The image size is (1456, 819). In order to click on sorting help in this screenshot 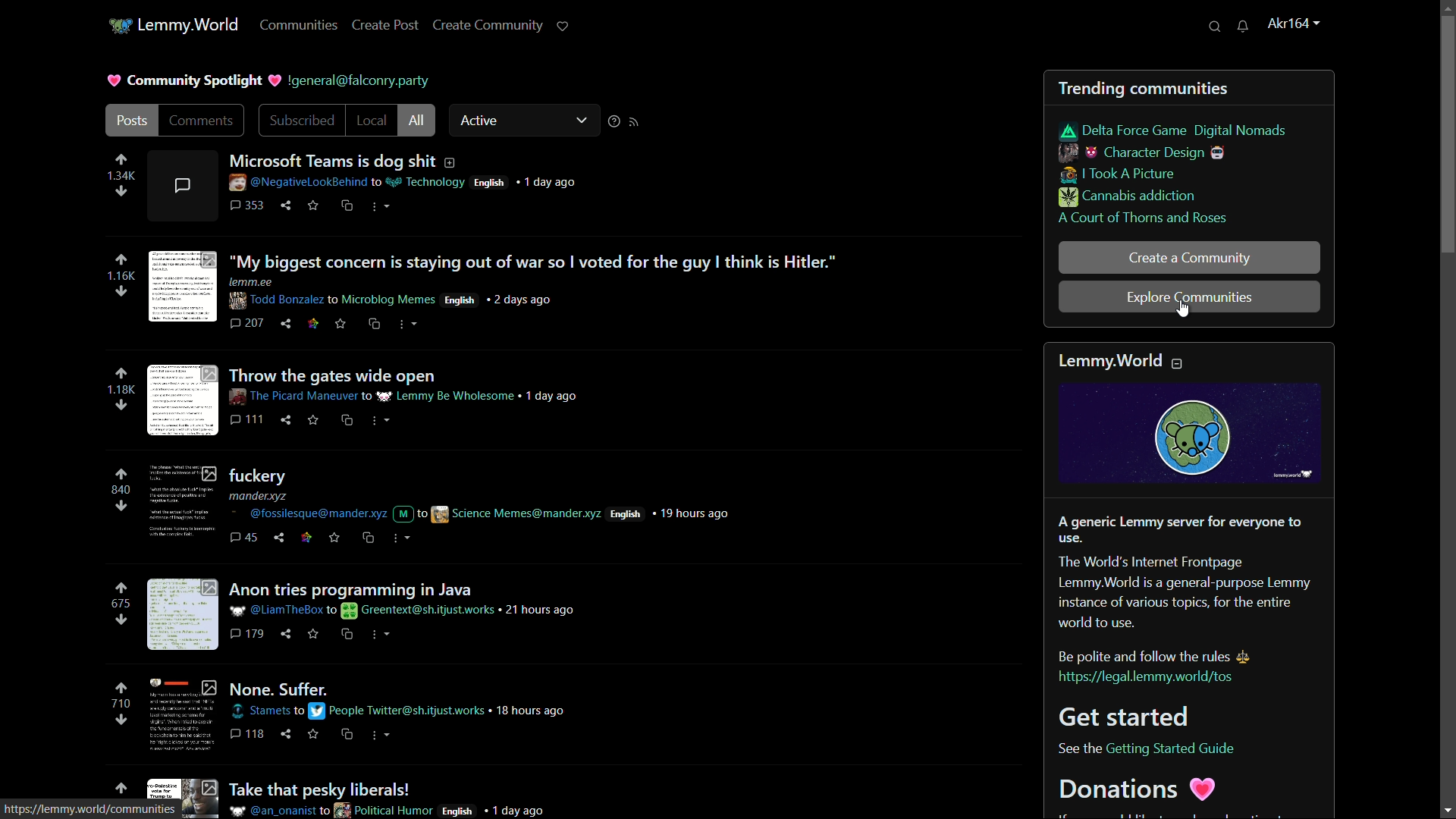, I will do `click(612, 121)`.